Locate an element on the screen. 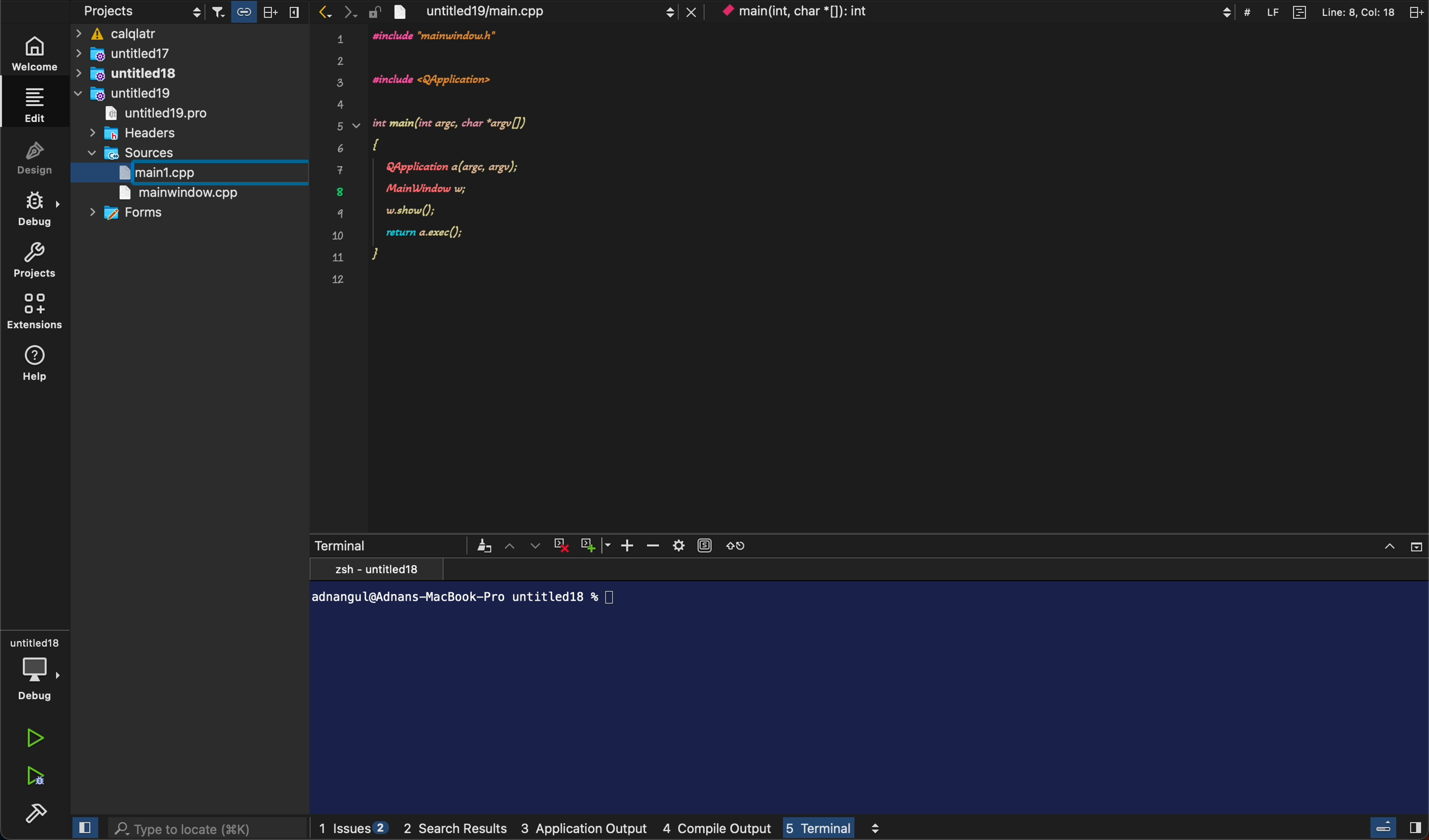  search bar is located at coordinates (208, 829).